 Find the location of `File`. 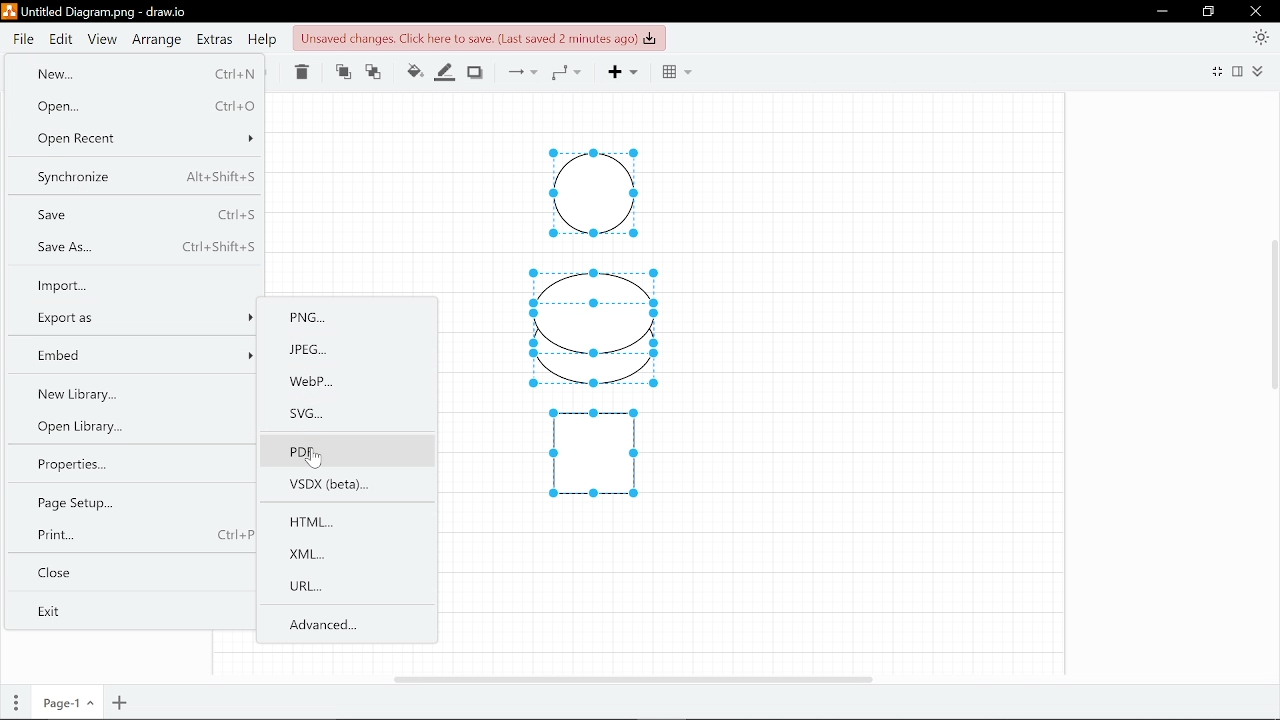

File is located at coordinates (24, 39).